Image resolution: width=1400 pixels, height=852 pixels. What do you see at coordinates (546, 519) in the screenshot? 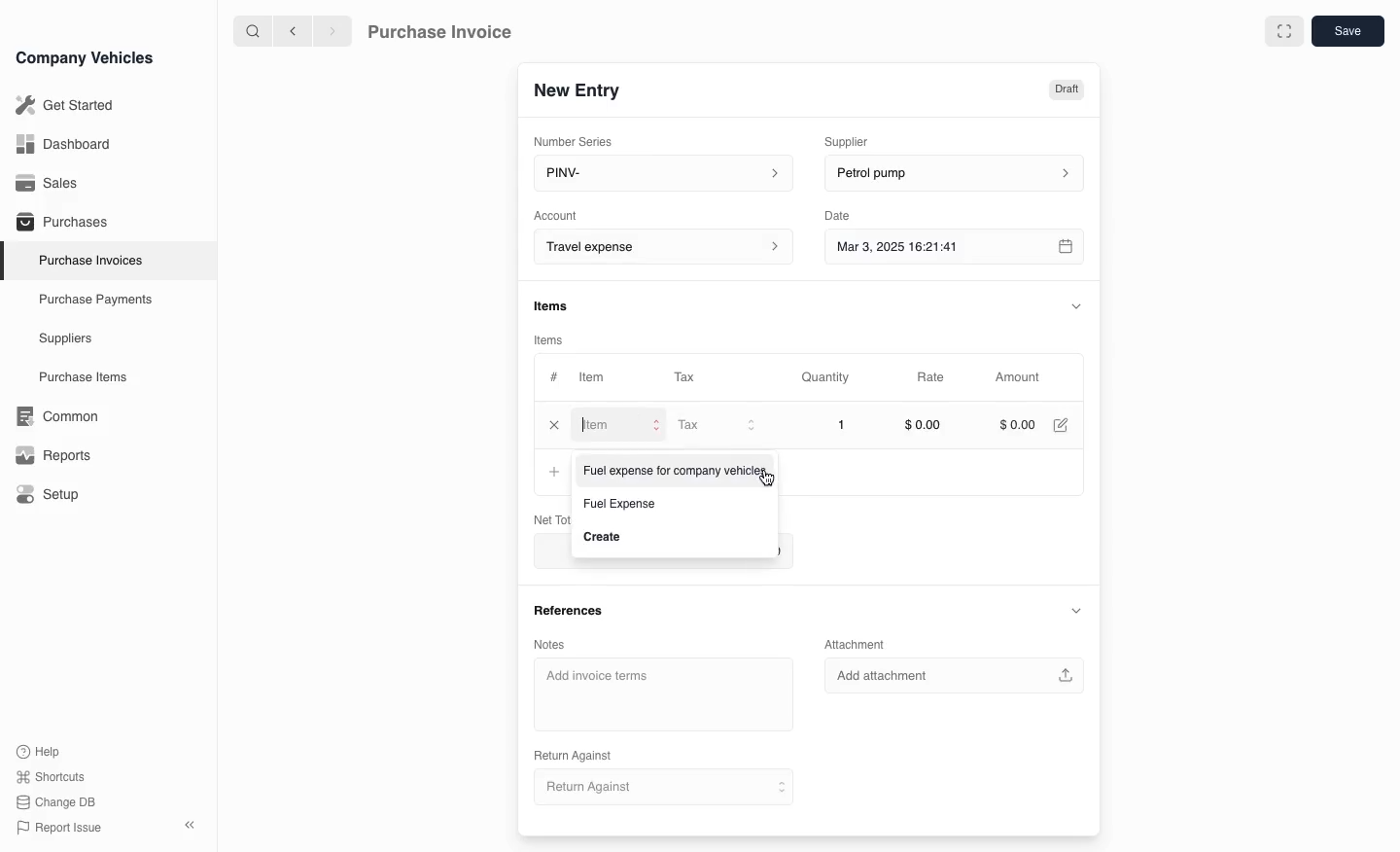
I see `Net Total` at bounding box center [546, 519].